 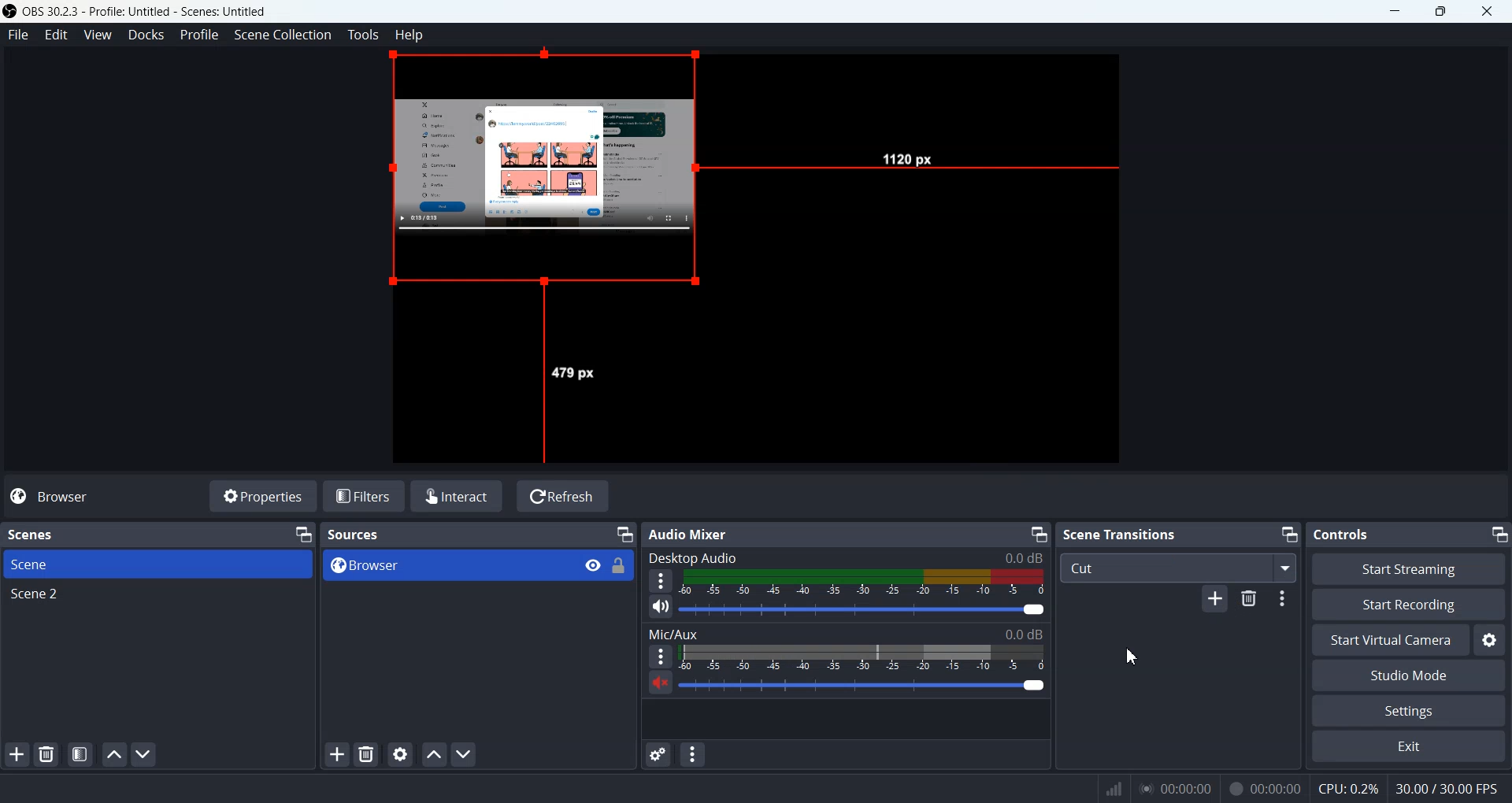 What do you see at coordinates (365, 496) in the screenshot?
I see `Filters` at bounding box center [365, 496].